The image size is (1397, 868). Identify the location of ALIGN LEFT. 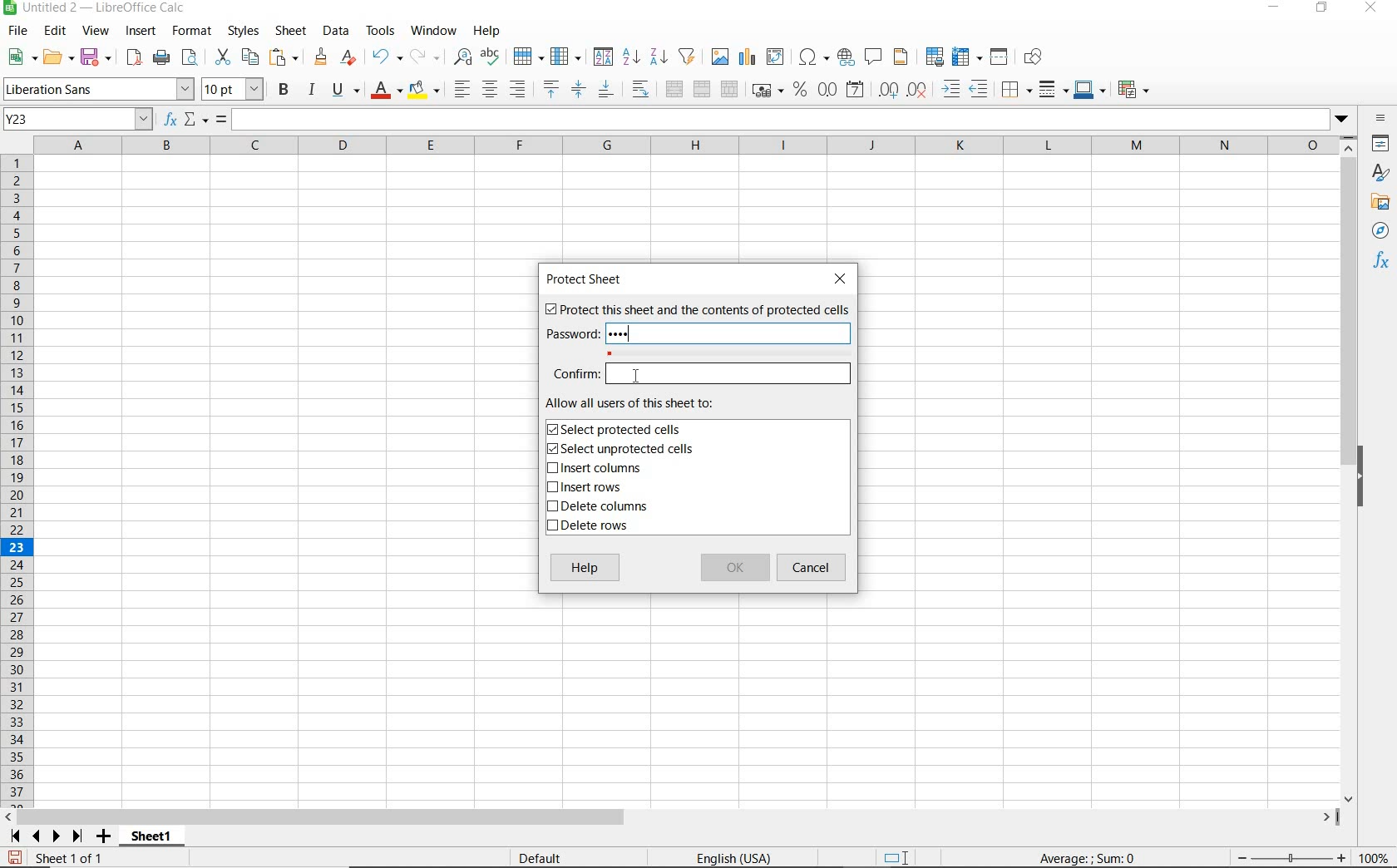
(462, 89).